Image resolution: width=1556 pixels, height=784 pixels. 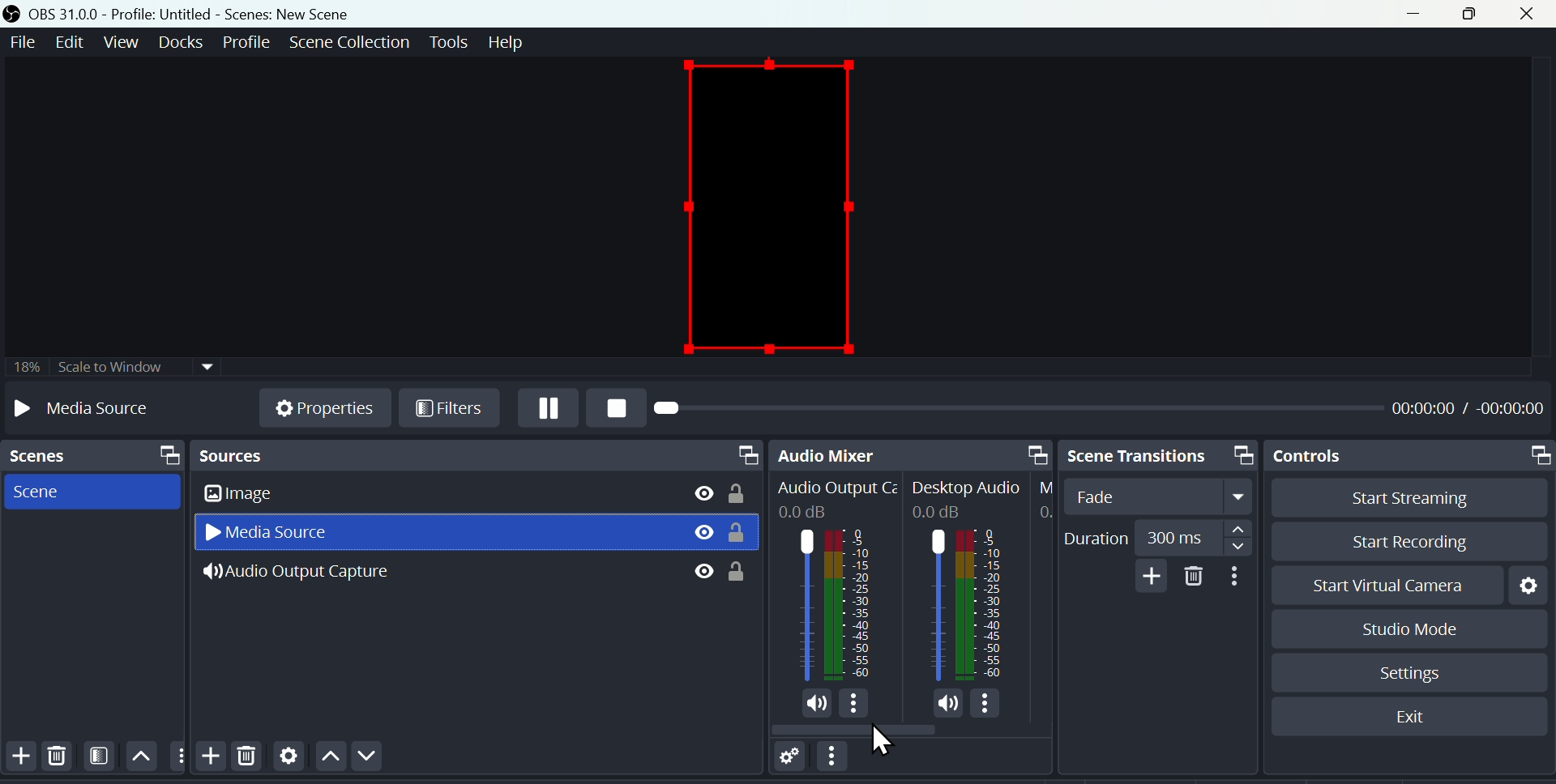 What do you see at coordinates (247, 762) in the screenshot?
I see `Delete` at bounding box center [247, 762].